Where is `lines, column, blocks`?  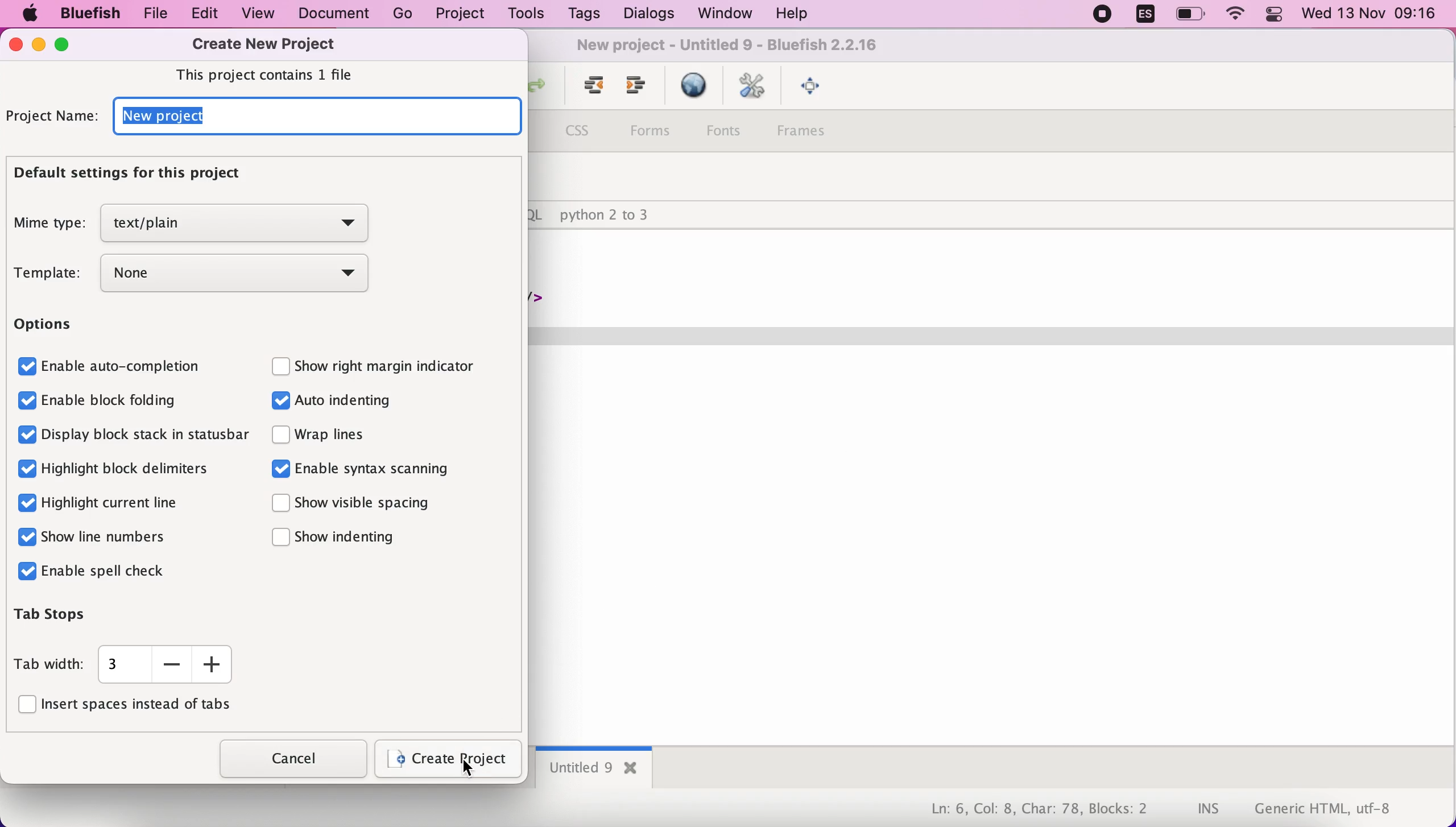
lines, column, blocks is located at coordinates (1031, 810).